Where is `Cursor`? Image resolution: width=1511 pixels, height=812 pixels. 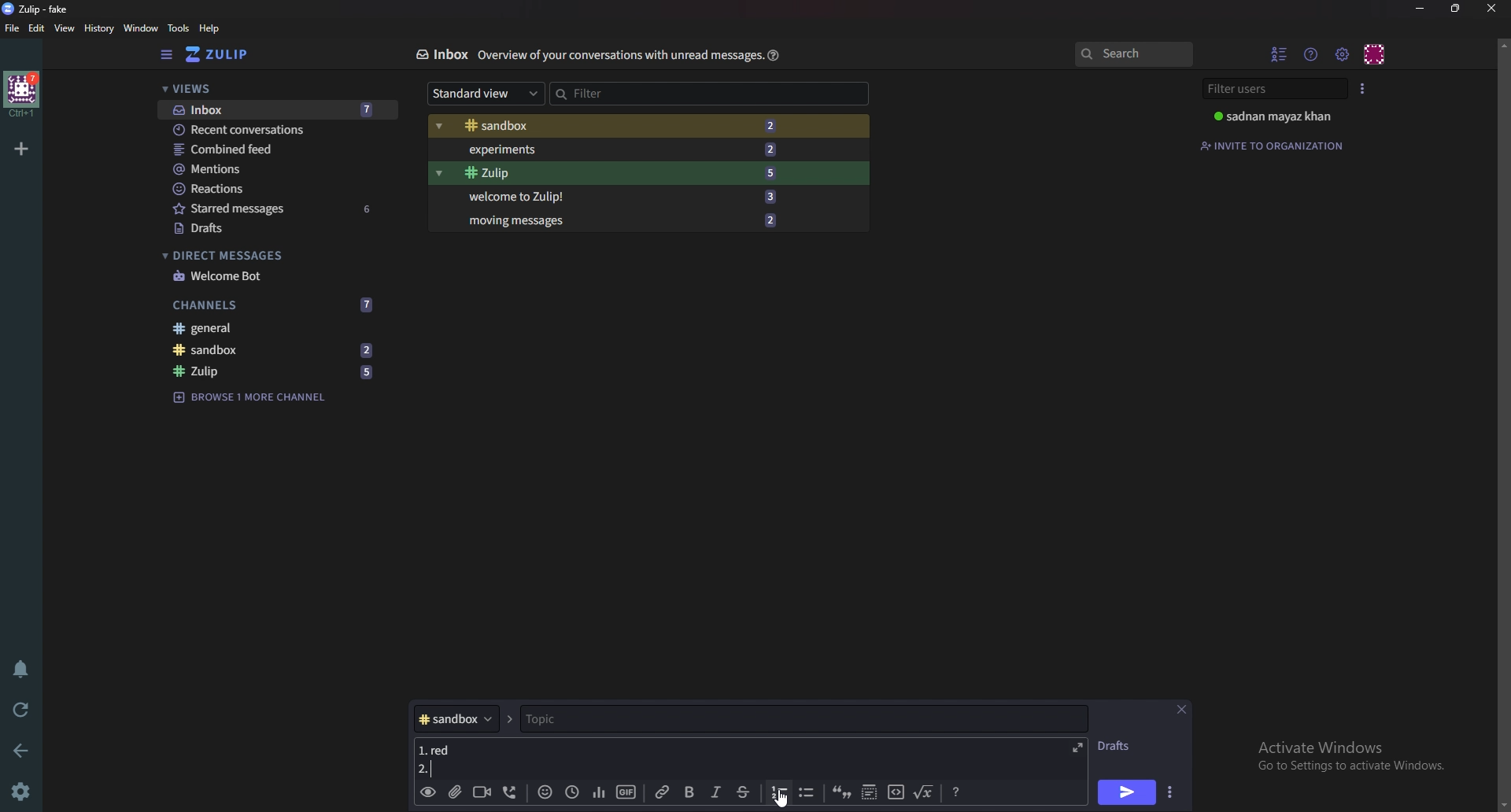 Cursor is located at coordinates (784, 799).